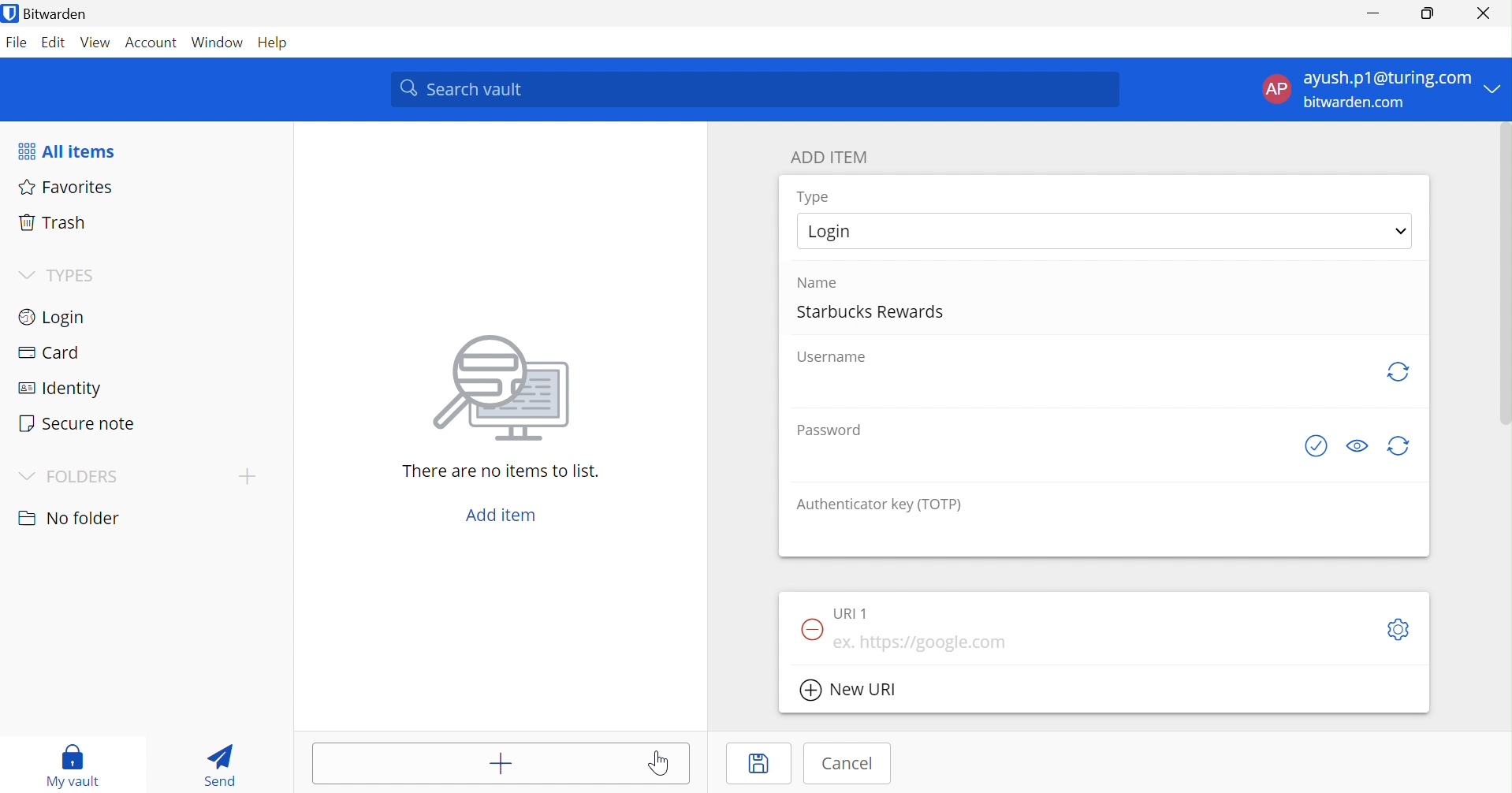 This screenshot has width=1512, height=793. Describe the element at coordinates (836, 357) in the screenshot. I see `Username` at that location.